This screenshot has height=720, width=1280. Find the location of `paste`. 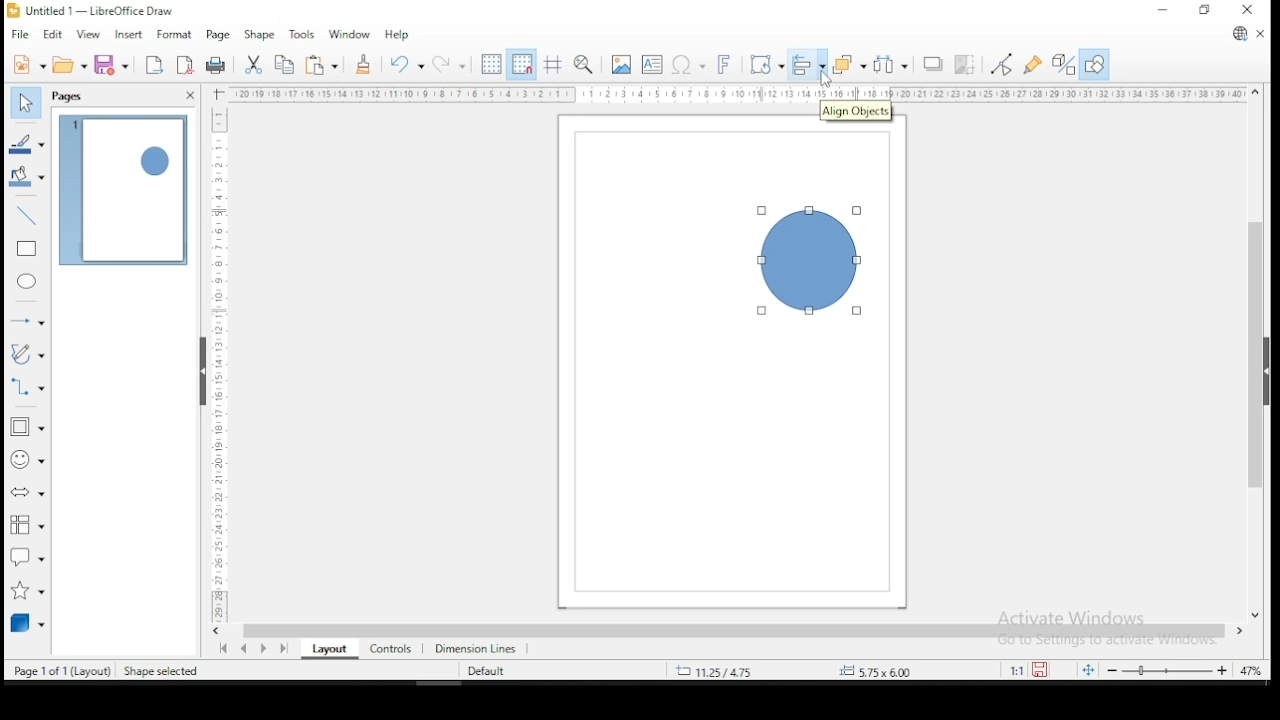

paste is located at coordinates (324, 65).